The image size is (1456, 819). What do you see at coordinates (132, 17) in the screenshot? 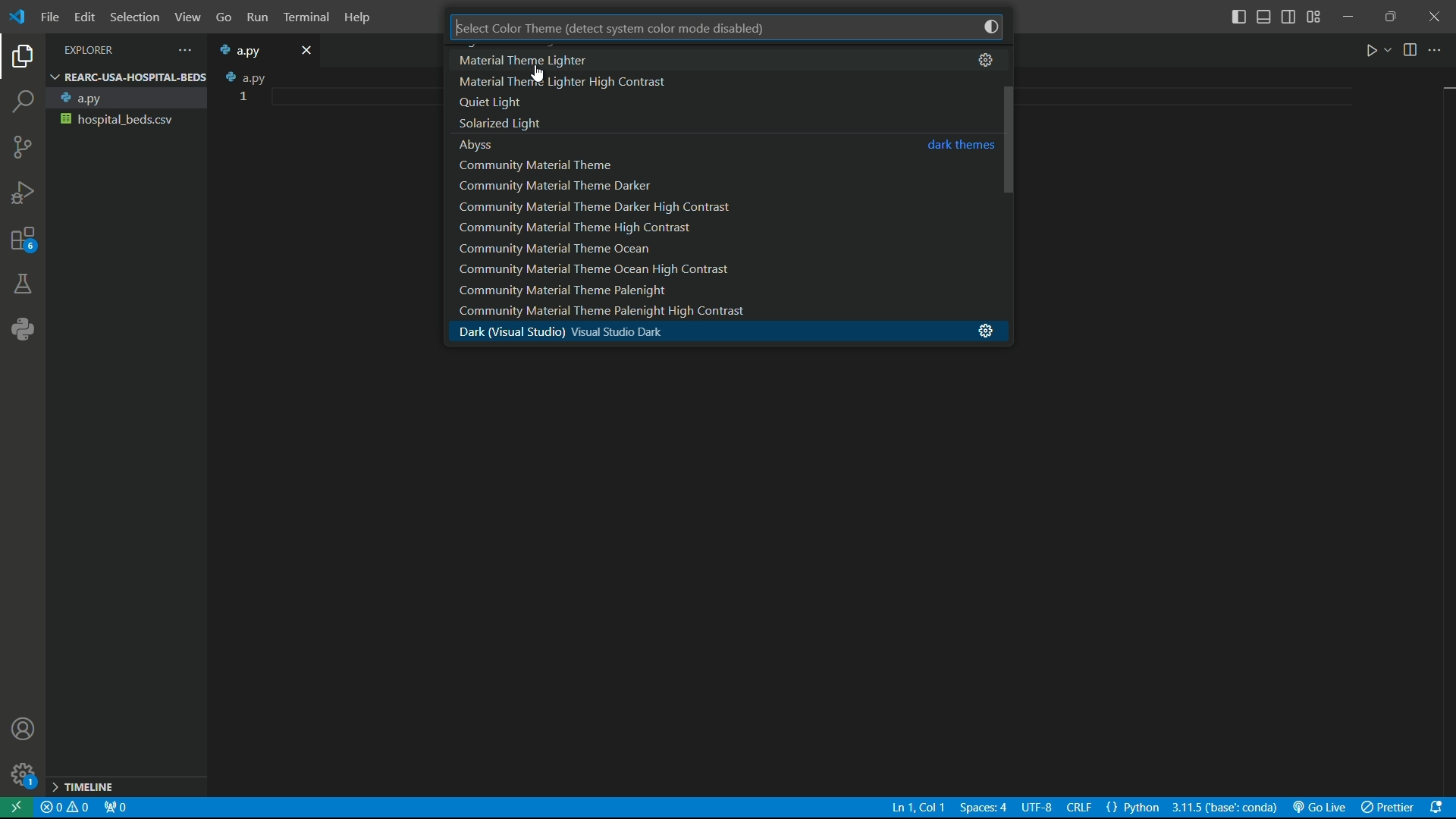
I see `selection menu` at bounding box center [132, 17].